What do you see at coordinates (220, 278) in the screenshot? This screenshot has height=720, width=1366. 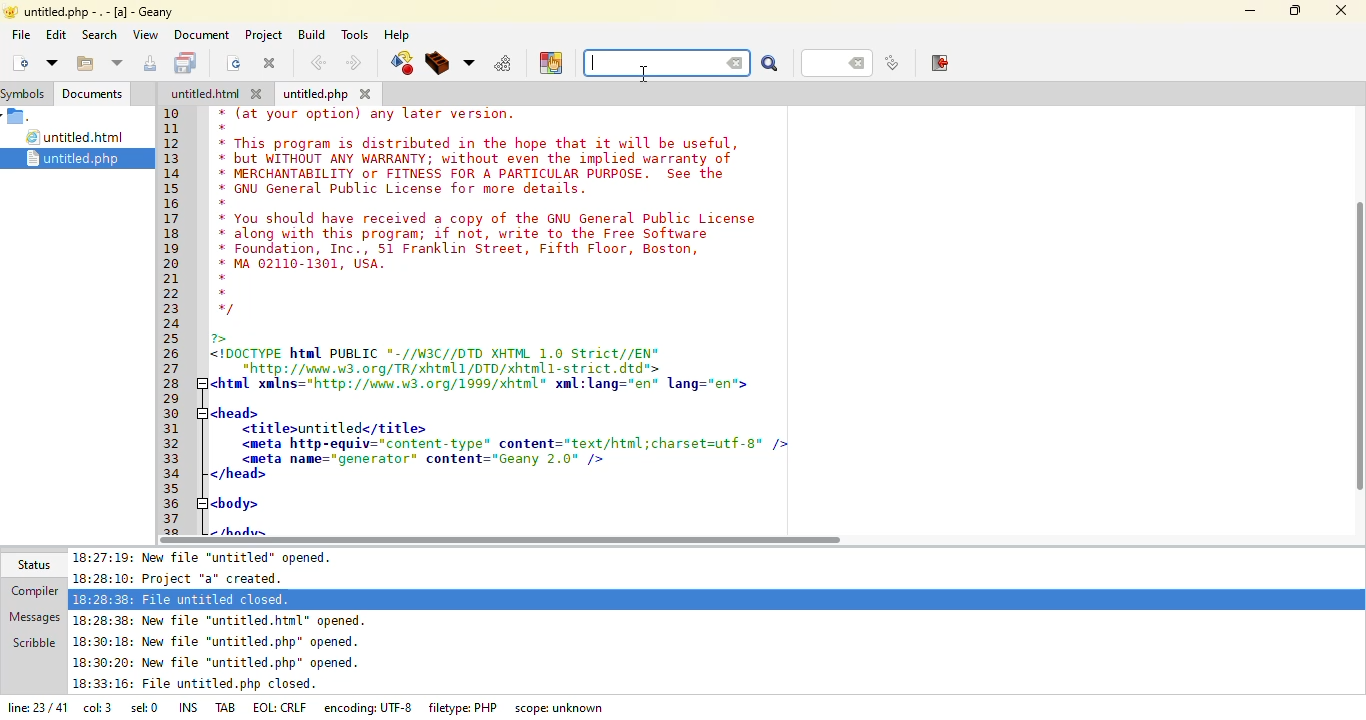 I see `*` at bounding box center [220, 278].